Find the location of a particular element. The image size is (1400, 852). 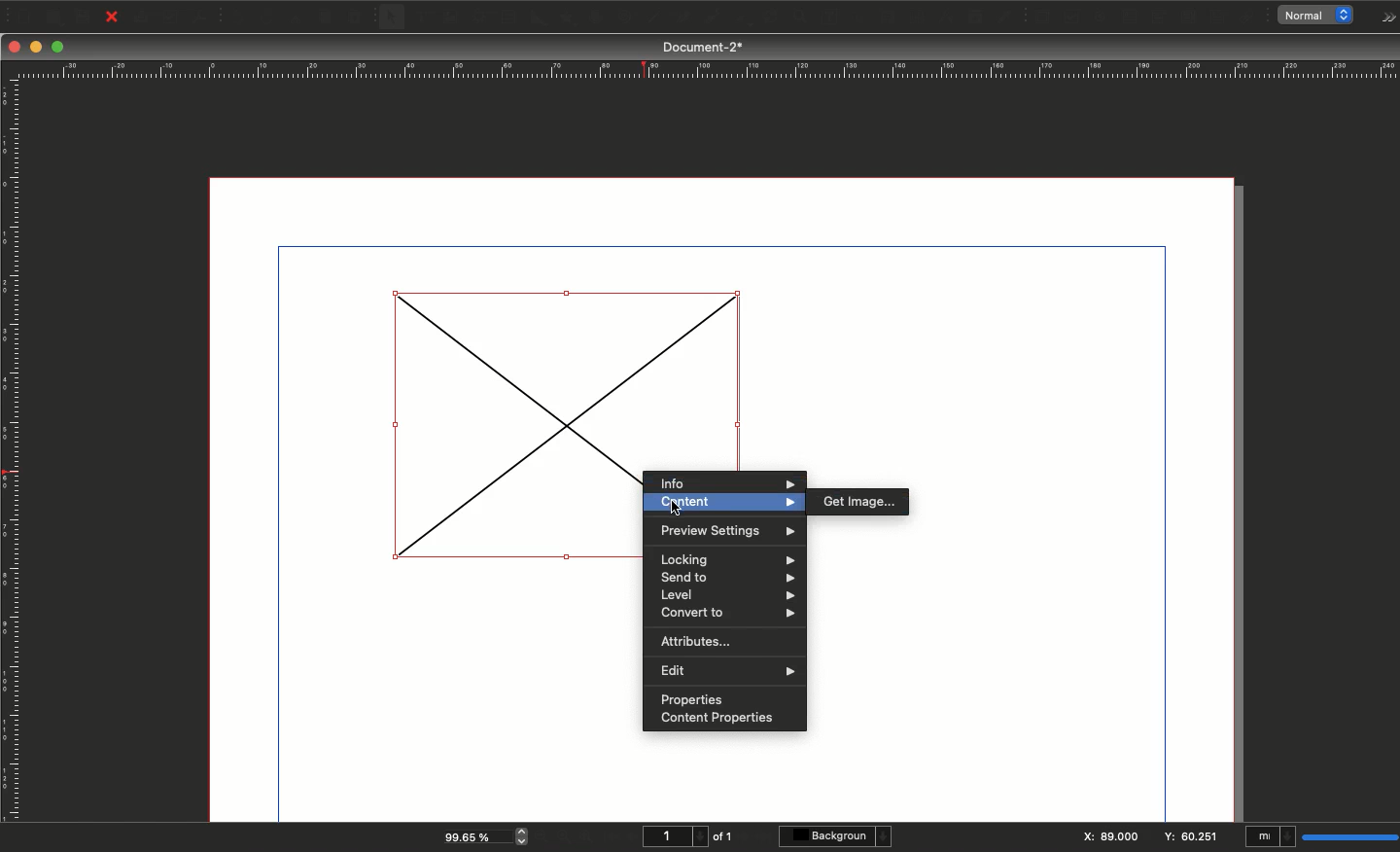

Select item is located at coordinates (393, 18).